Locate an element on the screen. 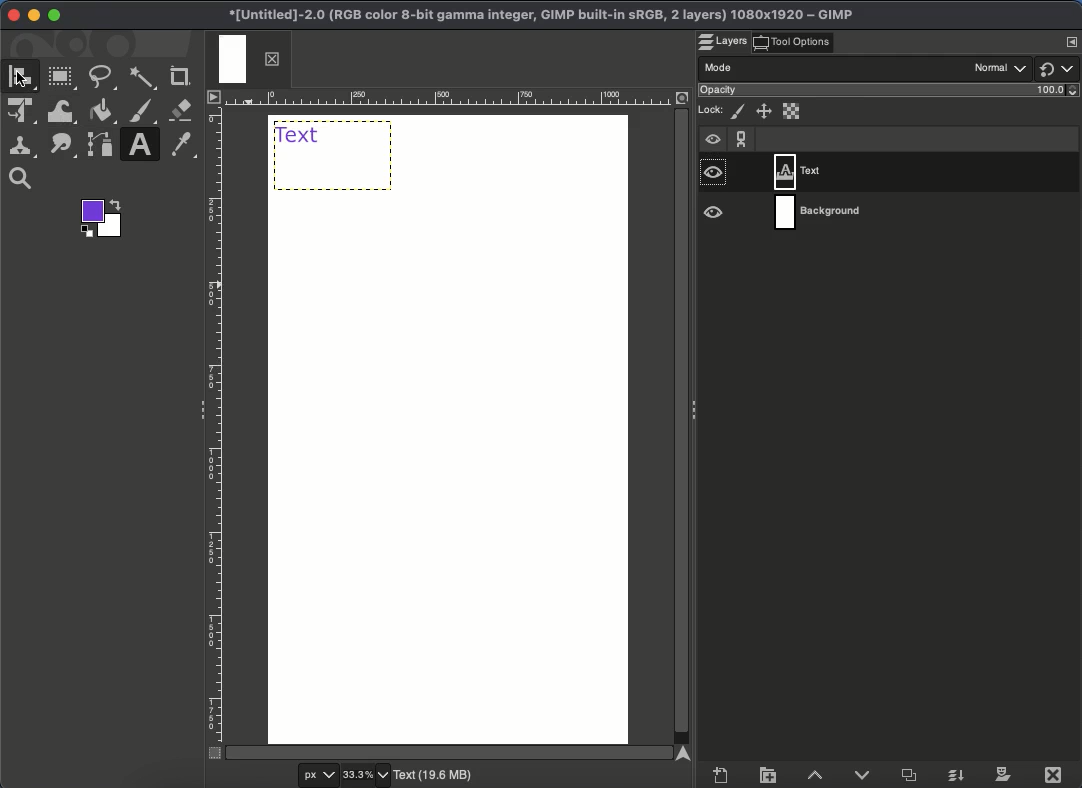  Text(19.6 MB) is located at coordinates (436, 777).